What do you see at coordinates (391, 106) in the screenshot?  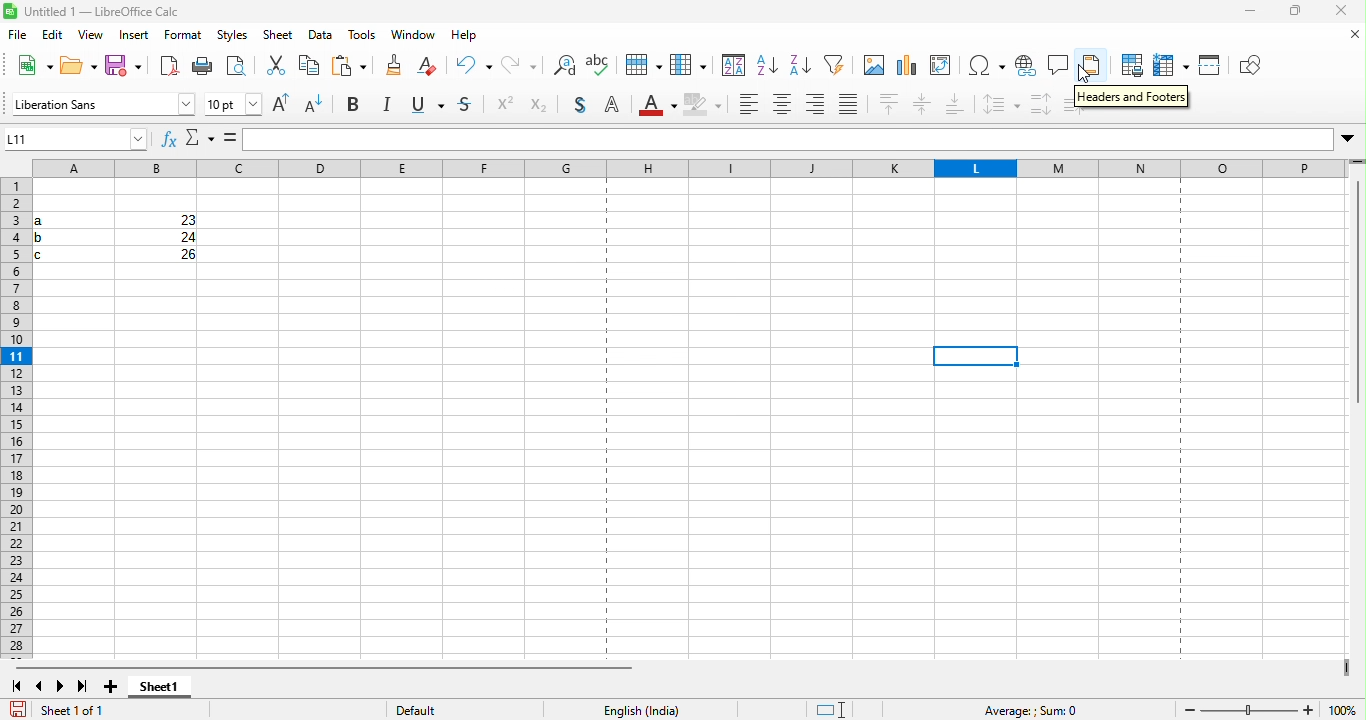 I see `italic` at bounding box center [391, 106].